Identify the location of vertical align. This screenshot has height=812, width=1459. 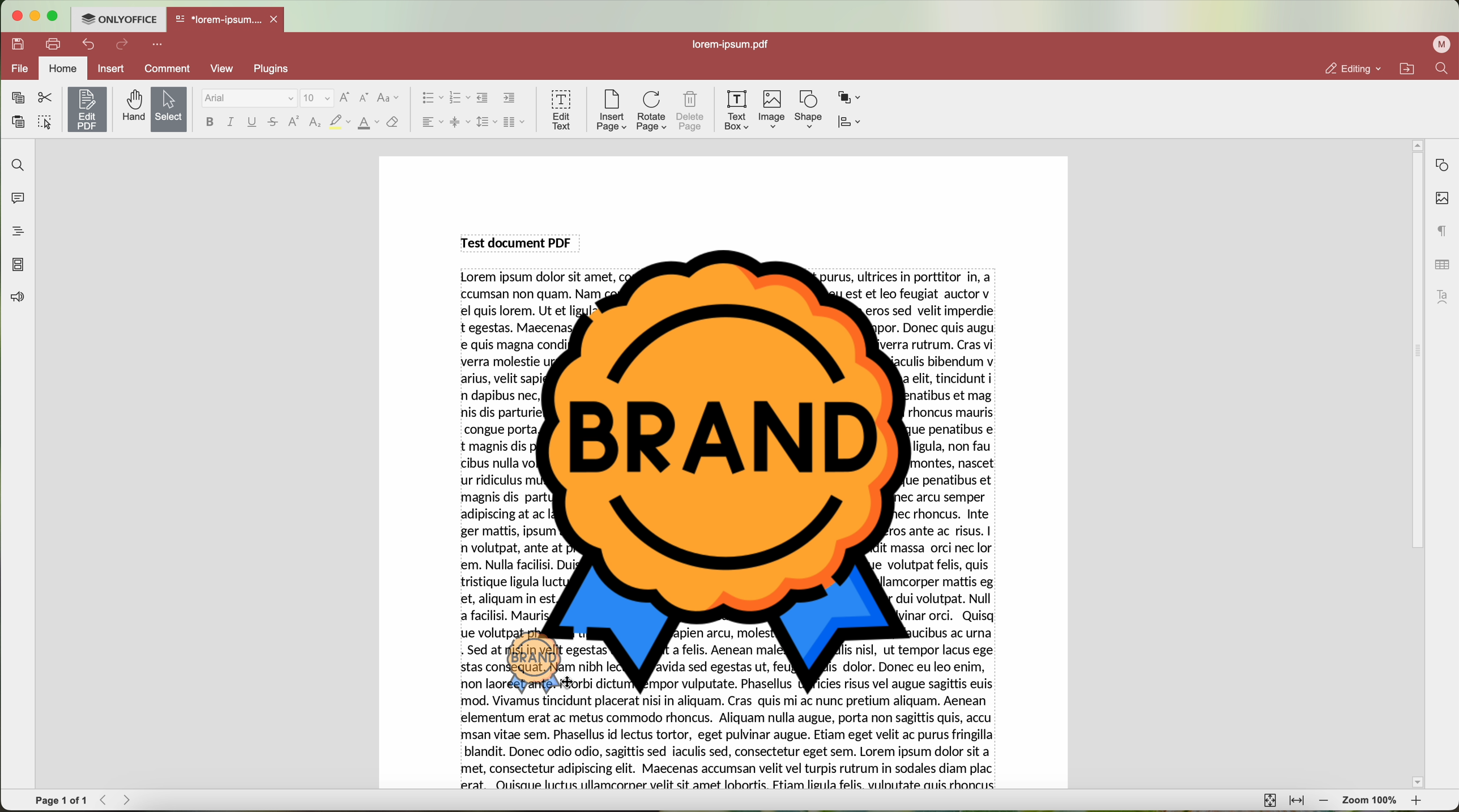
(459, 122).